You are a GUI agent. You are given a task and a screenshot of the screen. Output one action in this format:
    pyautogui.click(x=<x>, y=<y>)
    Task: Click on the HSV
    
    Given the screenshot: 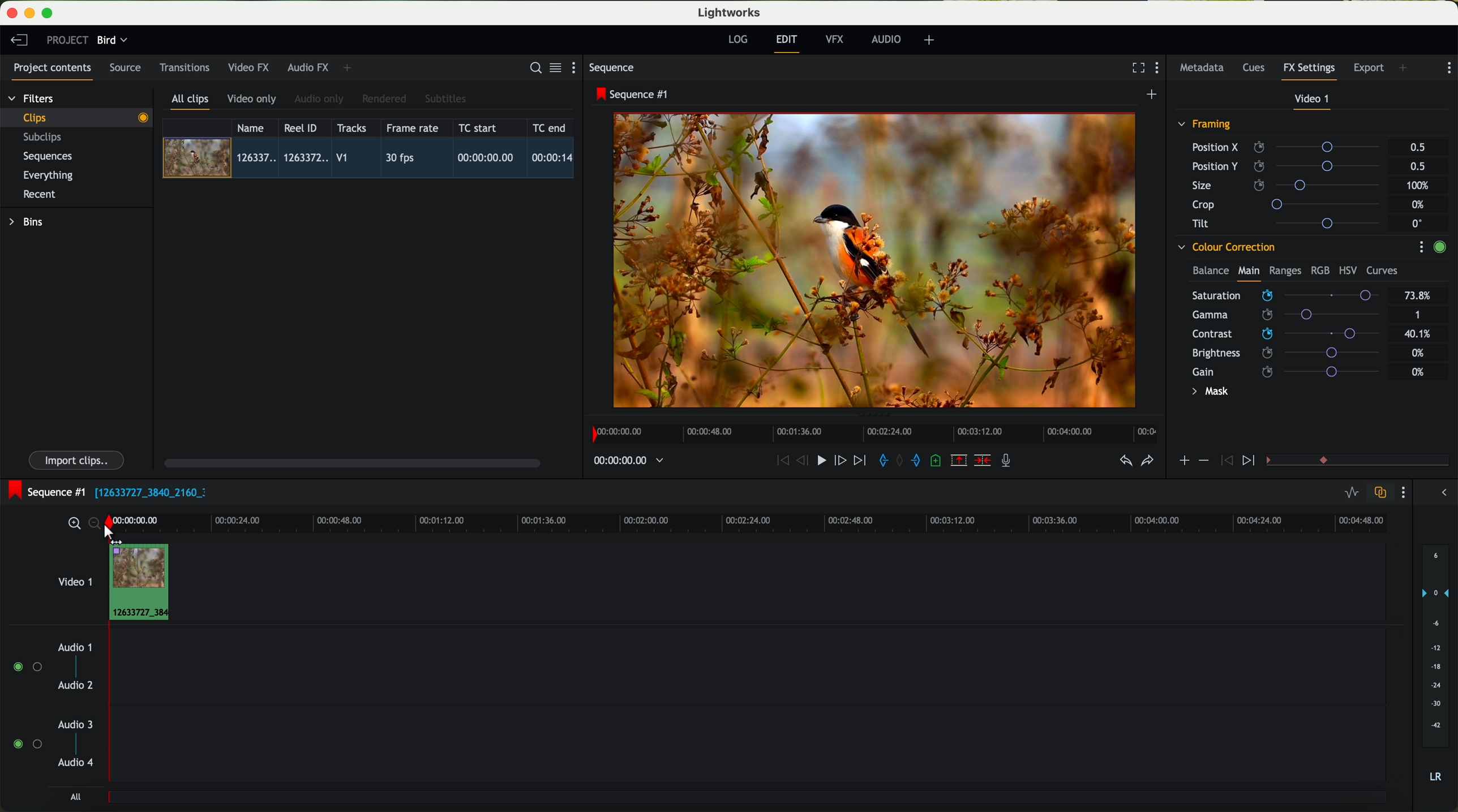 What is the action you would take?
    pyautogui.click(x=1347, y=270)
    